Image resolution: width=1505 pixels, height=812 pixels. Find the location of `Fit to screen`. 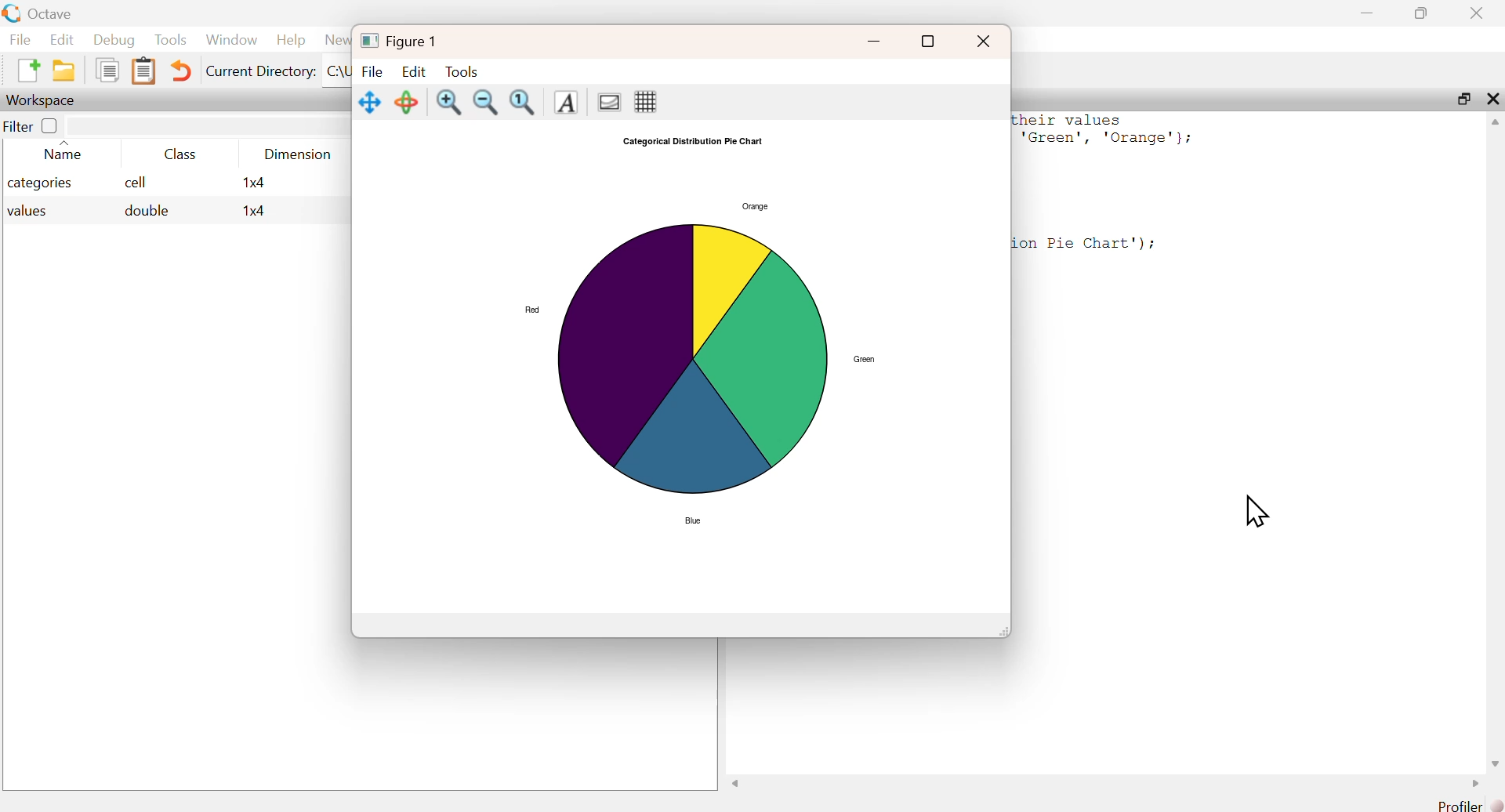

Fit to screen is located at coordinates (526, 102).